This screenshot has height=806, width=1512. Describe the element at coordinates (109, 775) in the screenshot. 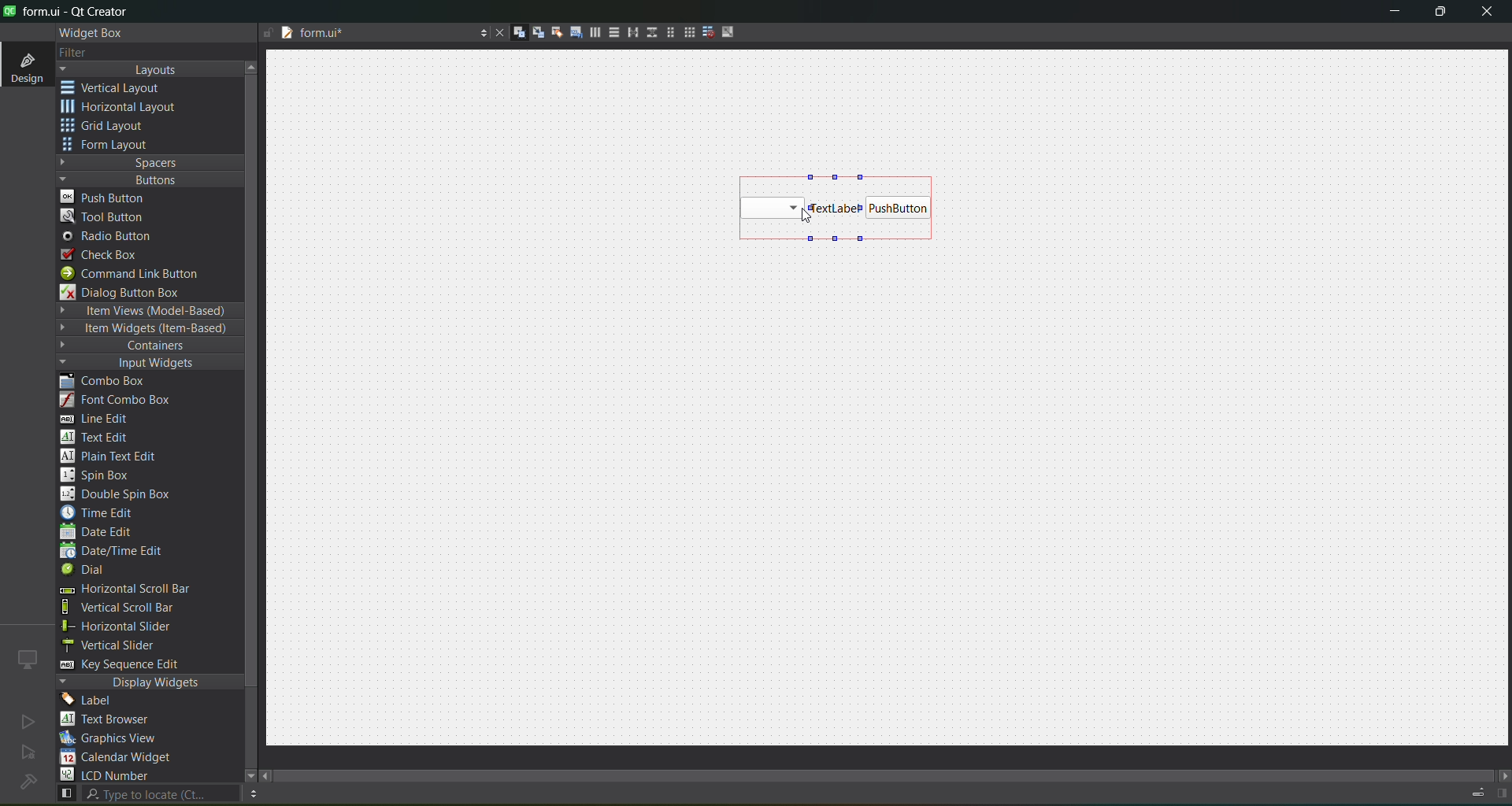

I see `lcd number` at that location.